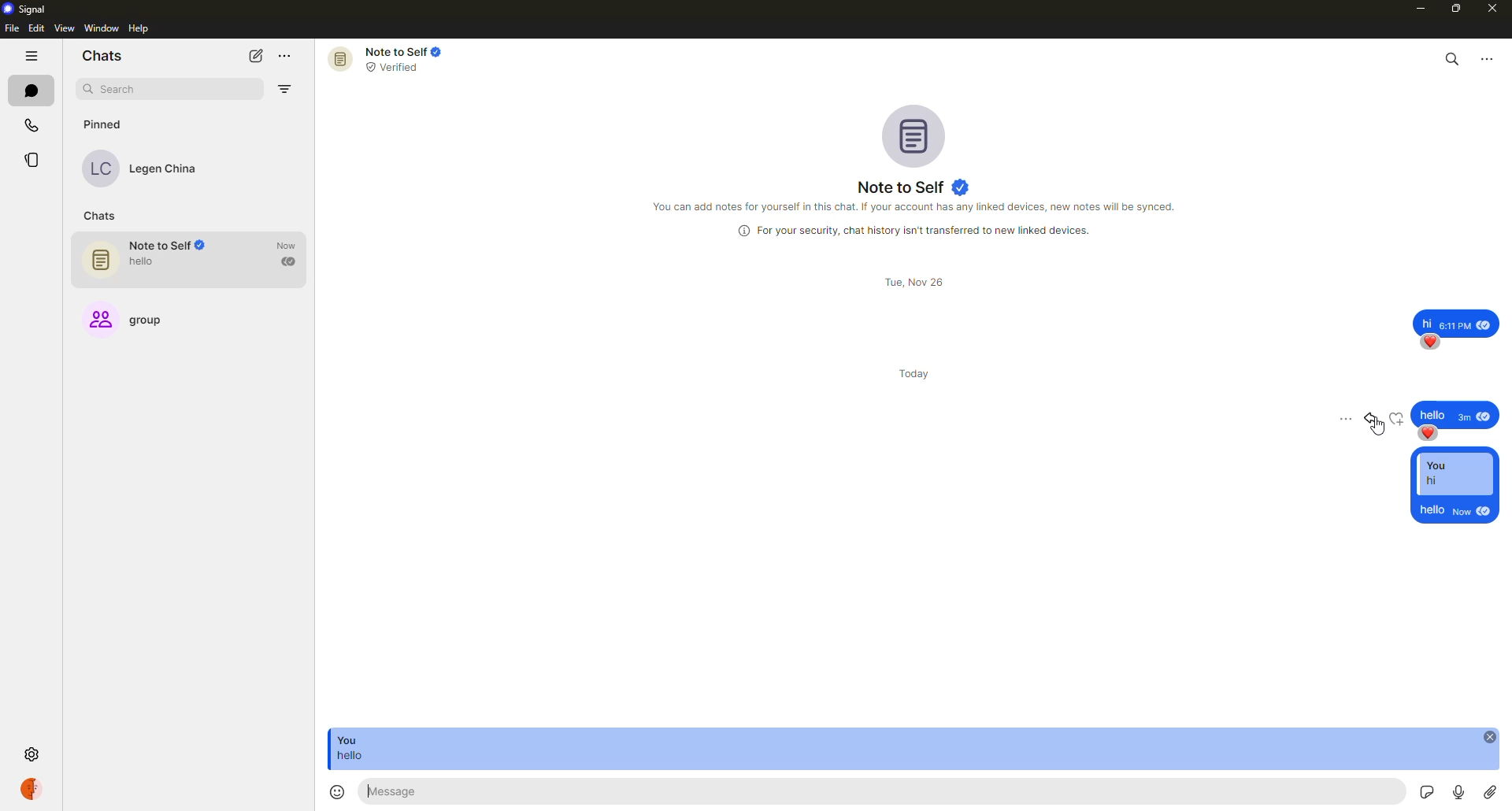 This screenshot has width=1512, height=811. I want to click on edit, so click(35, 28).